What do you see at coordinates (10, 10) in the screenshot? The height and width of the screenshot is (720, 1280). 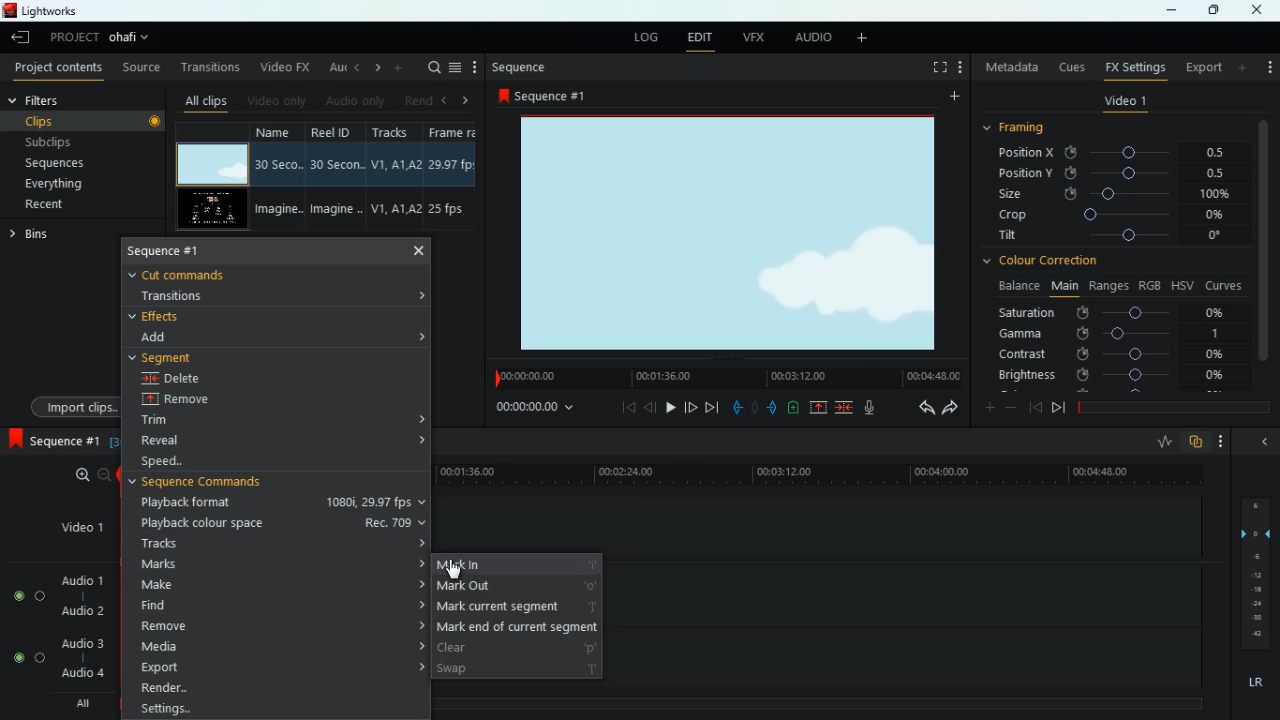 I see `Lightworks Logo` at bounding box center [10, 10].